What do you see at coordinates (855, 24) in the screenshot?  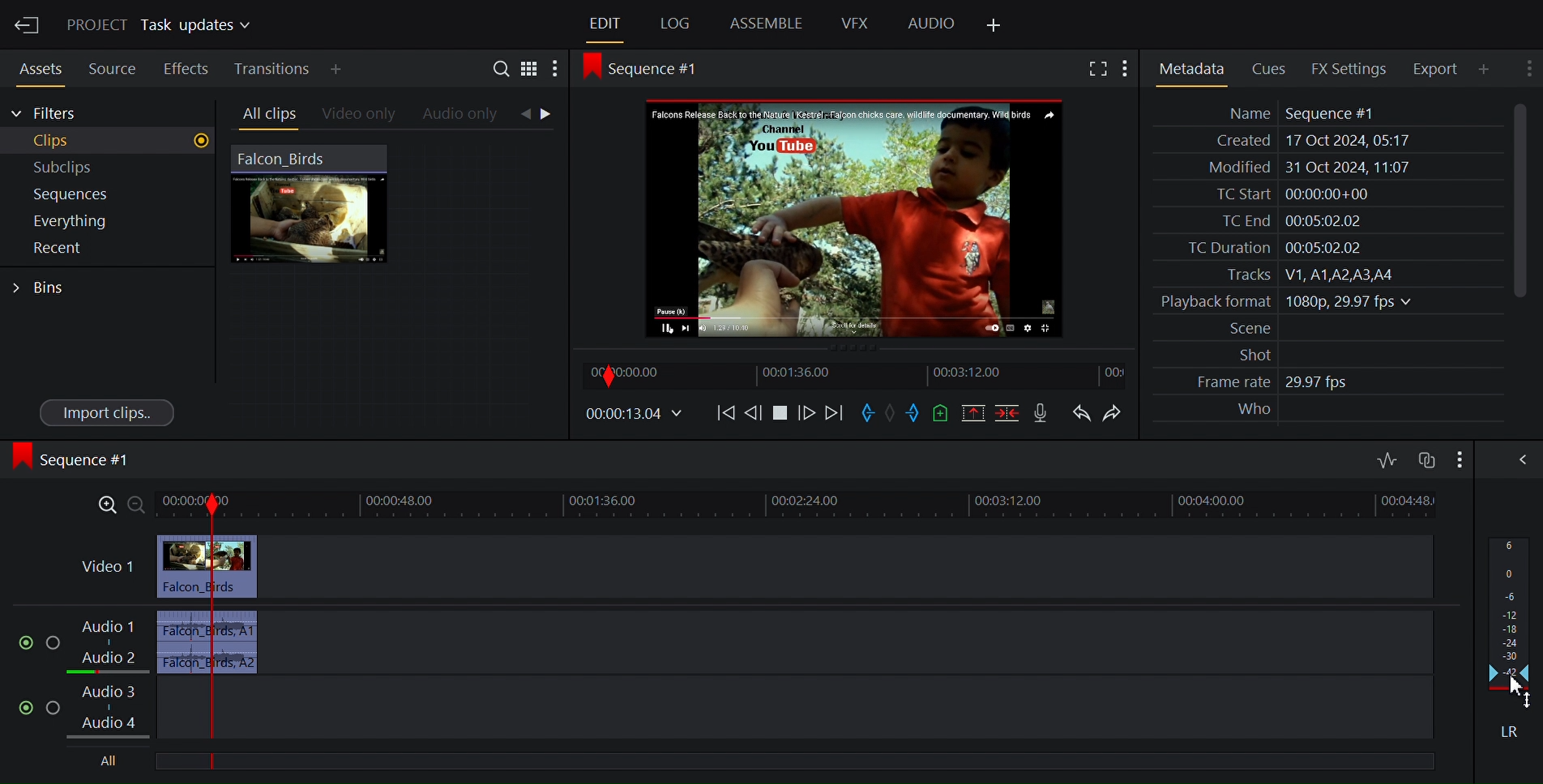 I see `VFX` at bounding box center [855, 24].